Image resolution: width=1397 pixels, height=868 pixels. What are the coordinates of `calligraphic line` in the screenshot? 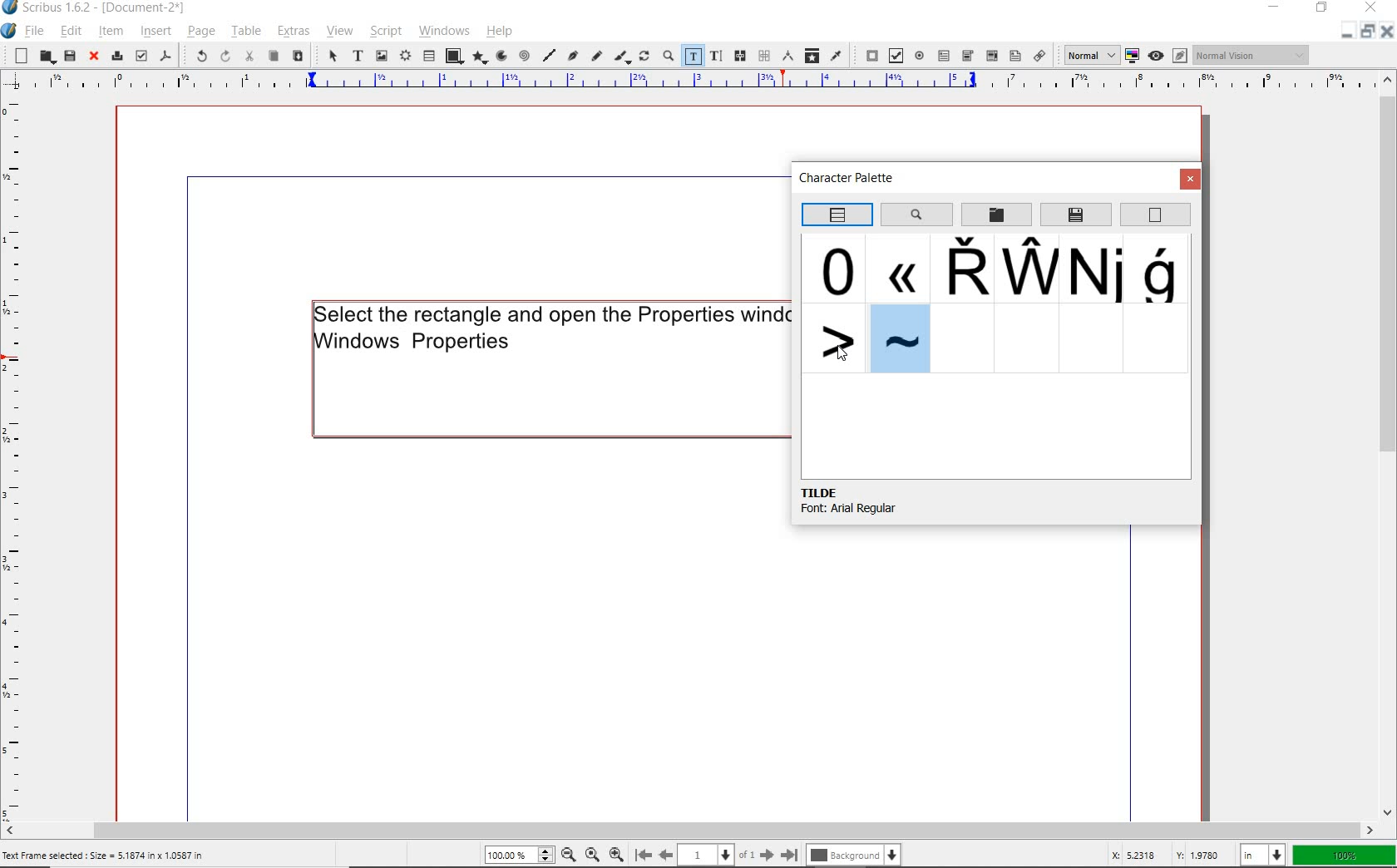 It's located at (622, 57).